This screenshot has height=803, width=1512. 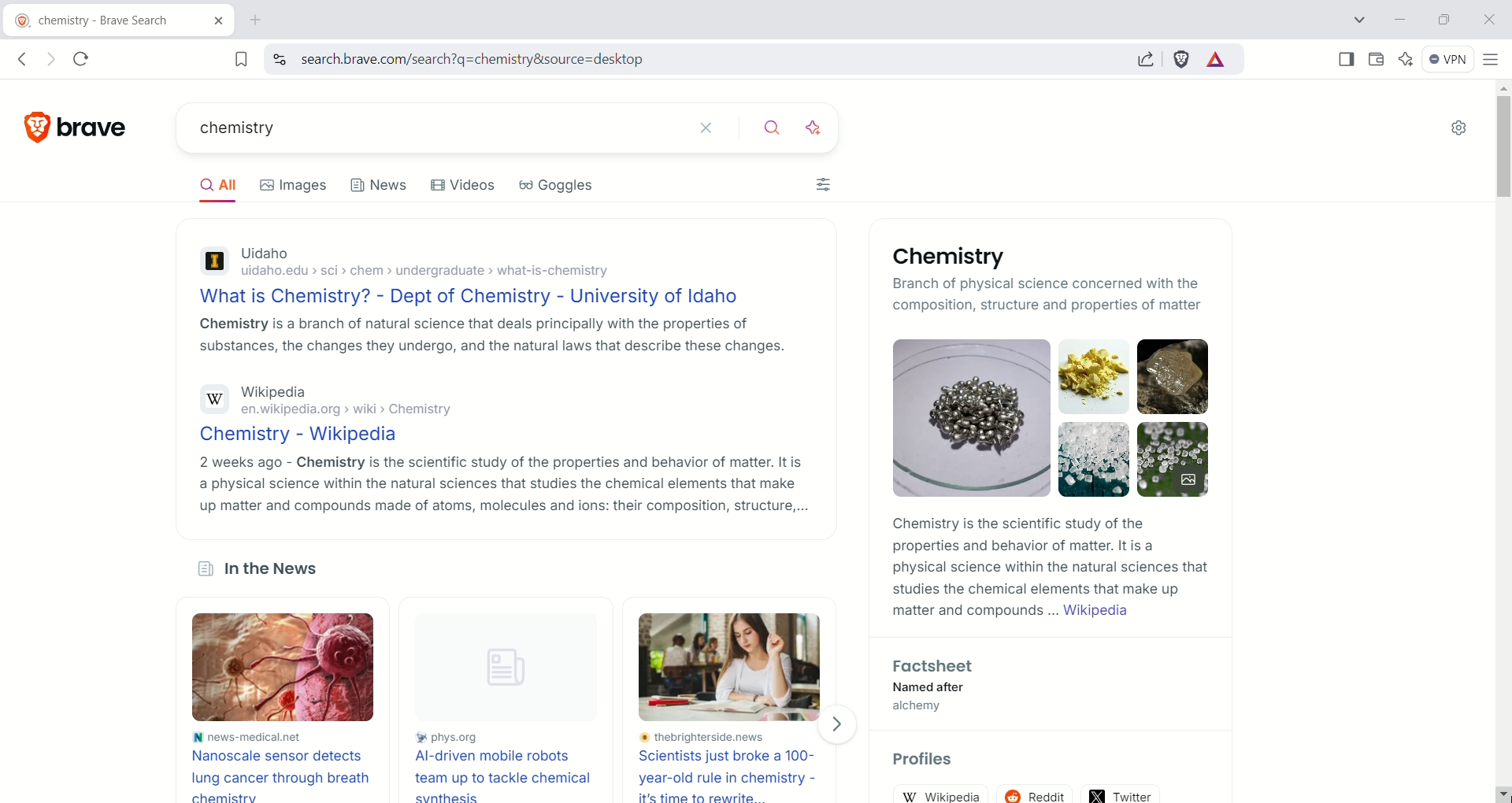 I want to click on new tab, so click(x=257, y=20).